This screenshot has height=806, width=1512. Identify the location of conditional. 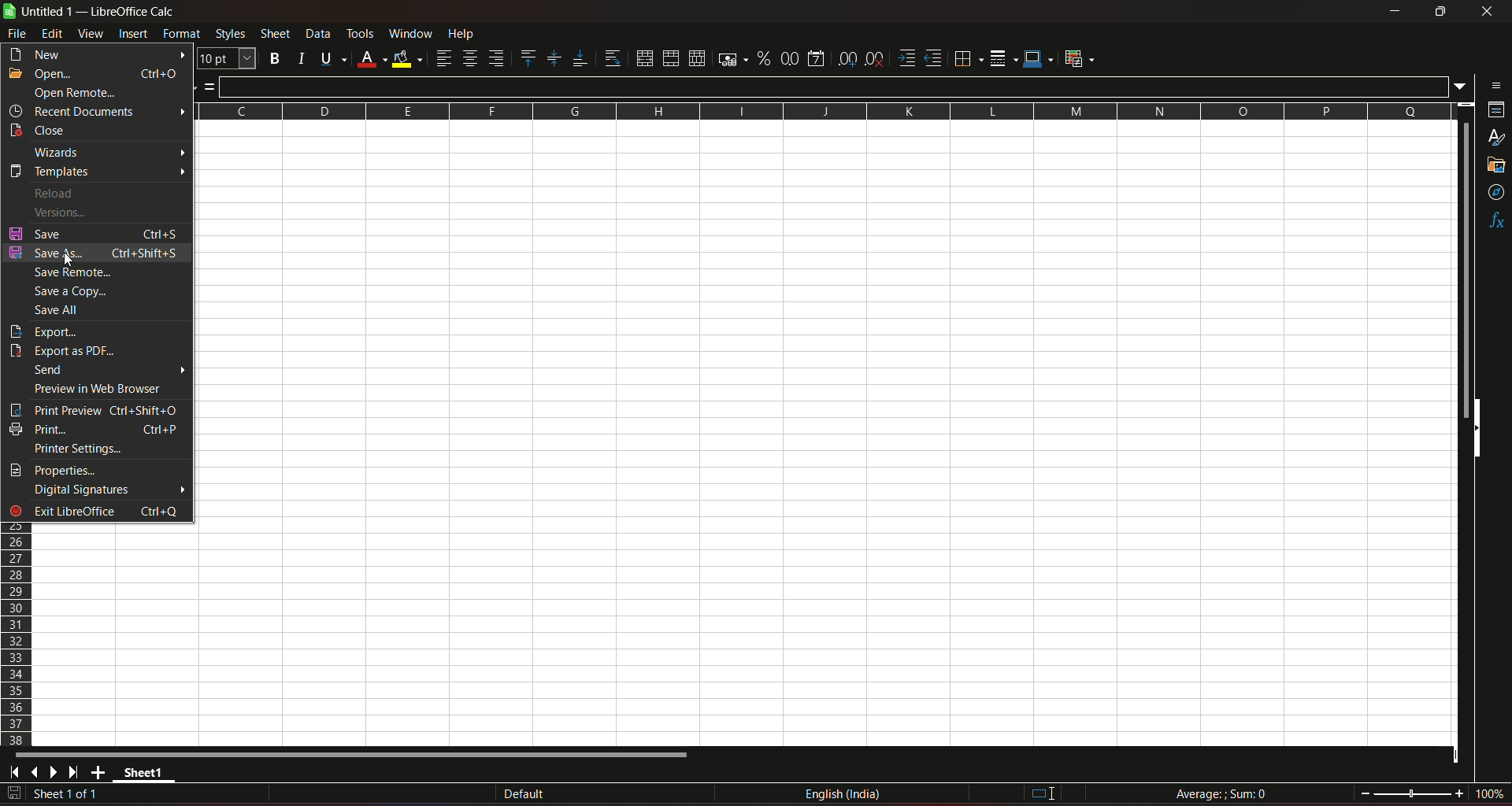
(1084, 59).